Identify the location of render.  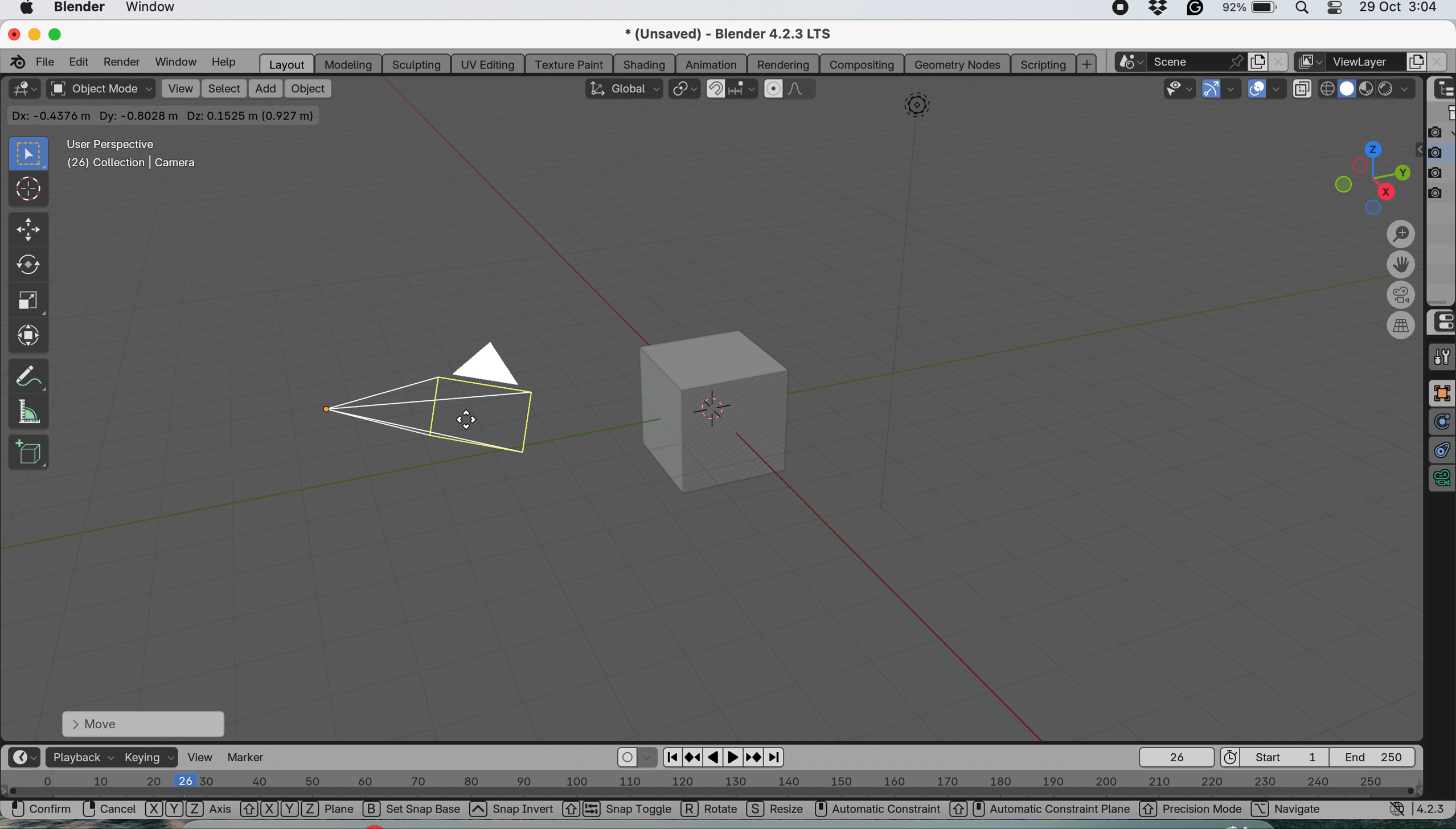
(121, 62).